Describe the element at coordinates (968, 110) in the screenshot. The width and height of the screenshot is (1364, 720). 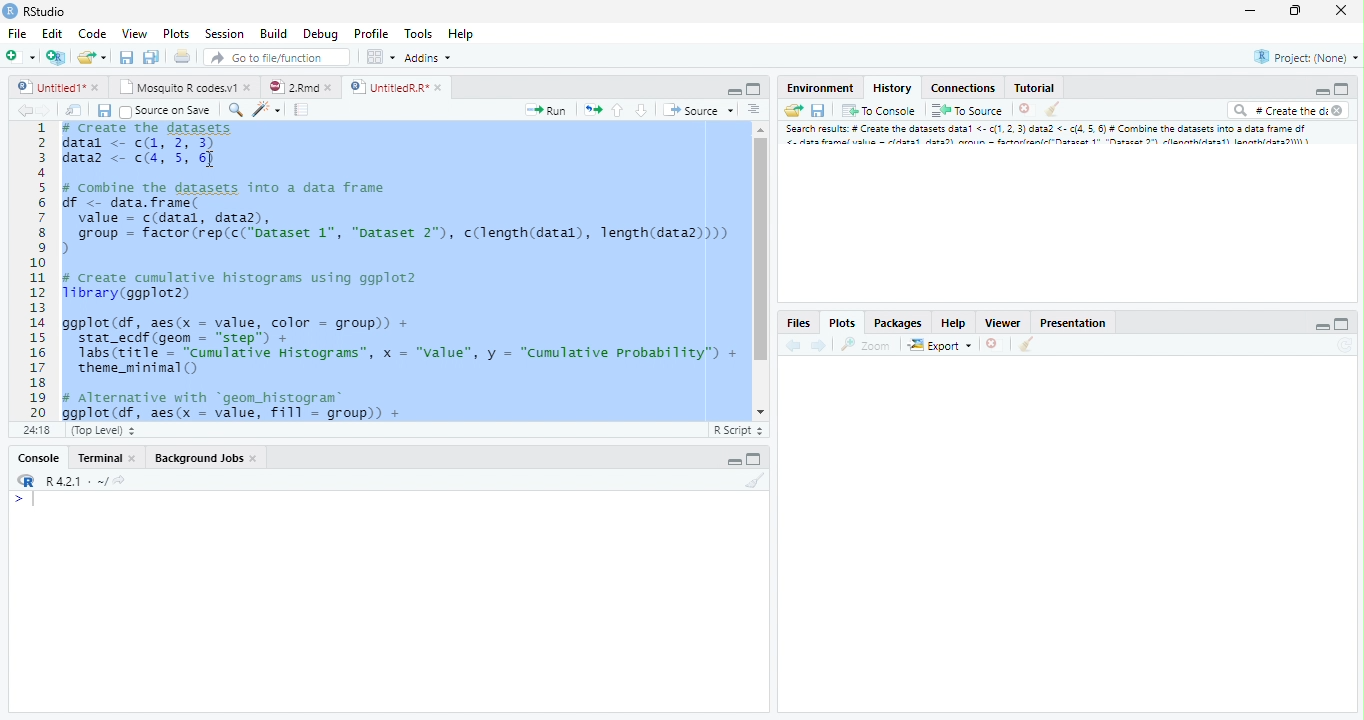
I see `To Source` at that location.